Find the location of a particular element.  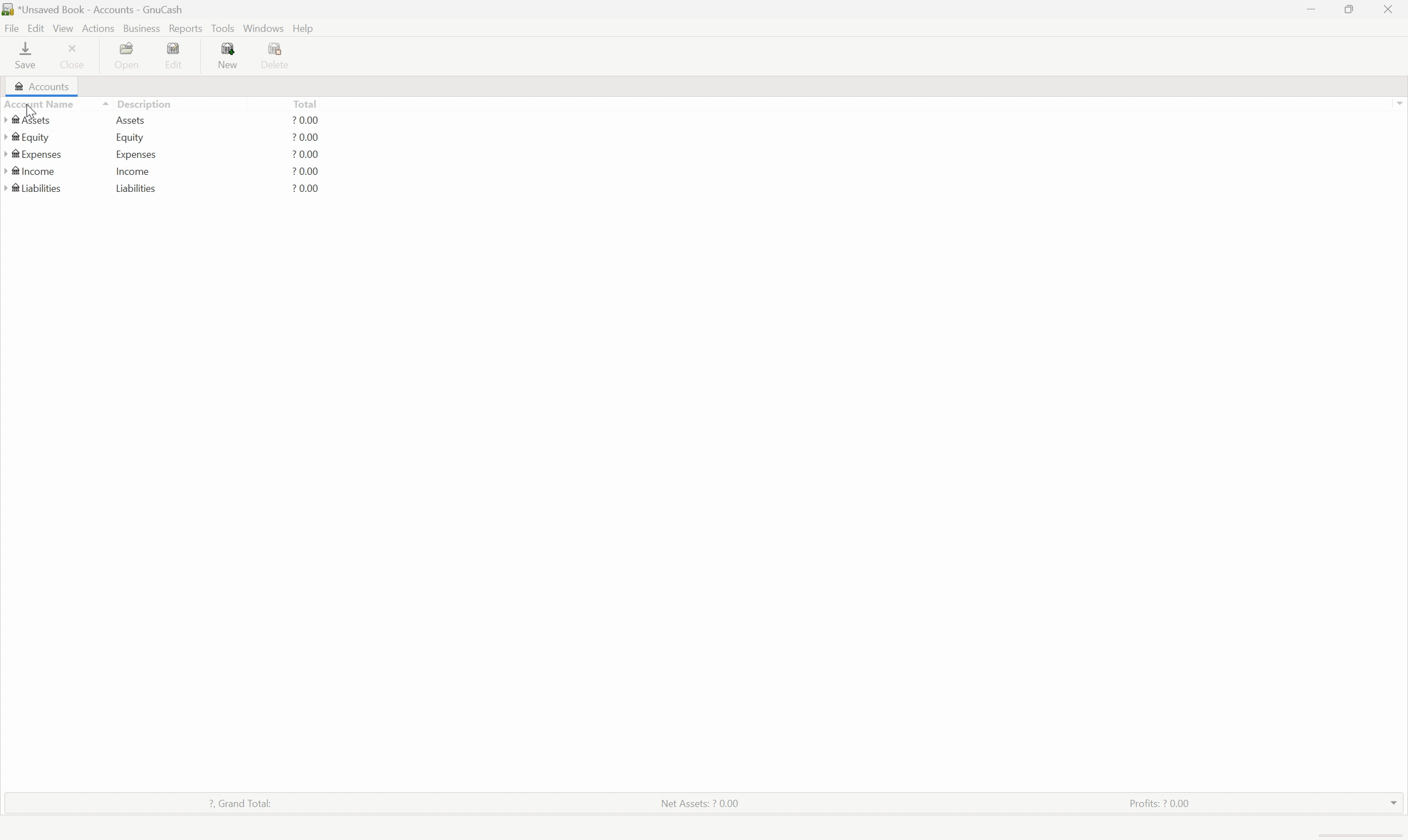

Profits: ? 0.00 is located at coordinates (1158, 803).